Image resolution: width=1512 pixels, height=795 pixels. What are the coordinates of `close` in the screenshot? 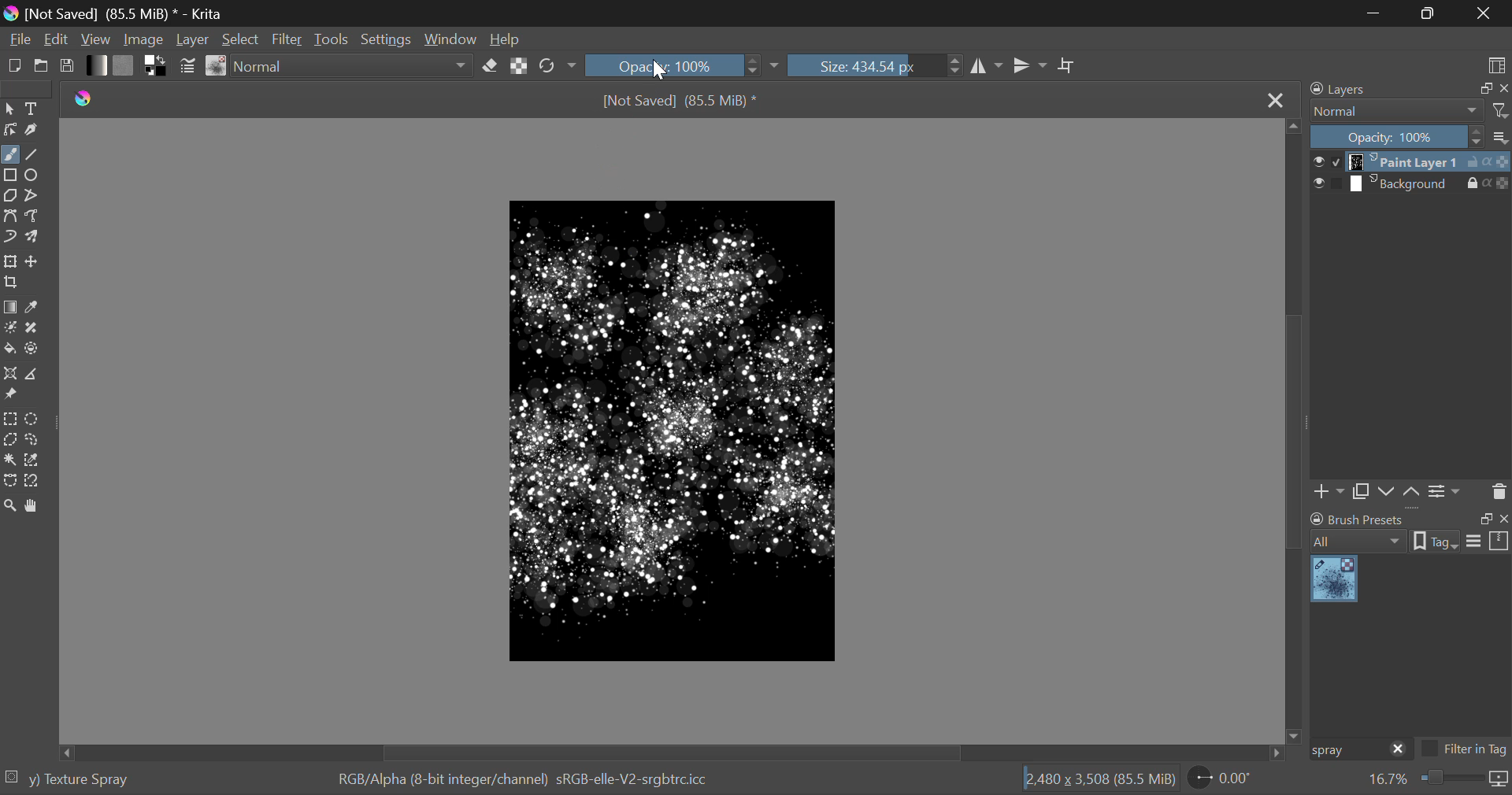 It's located at (1503, 519).